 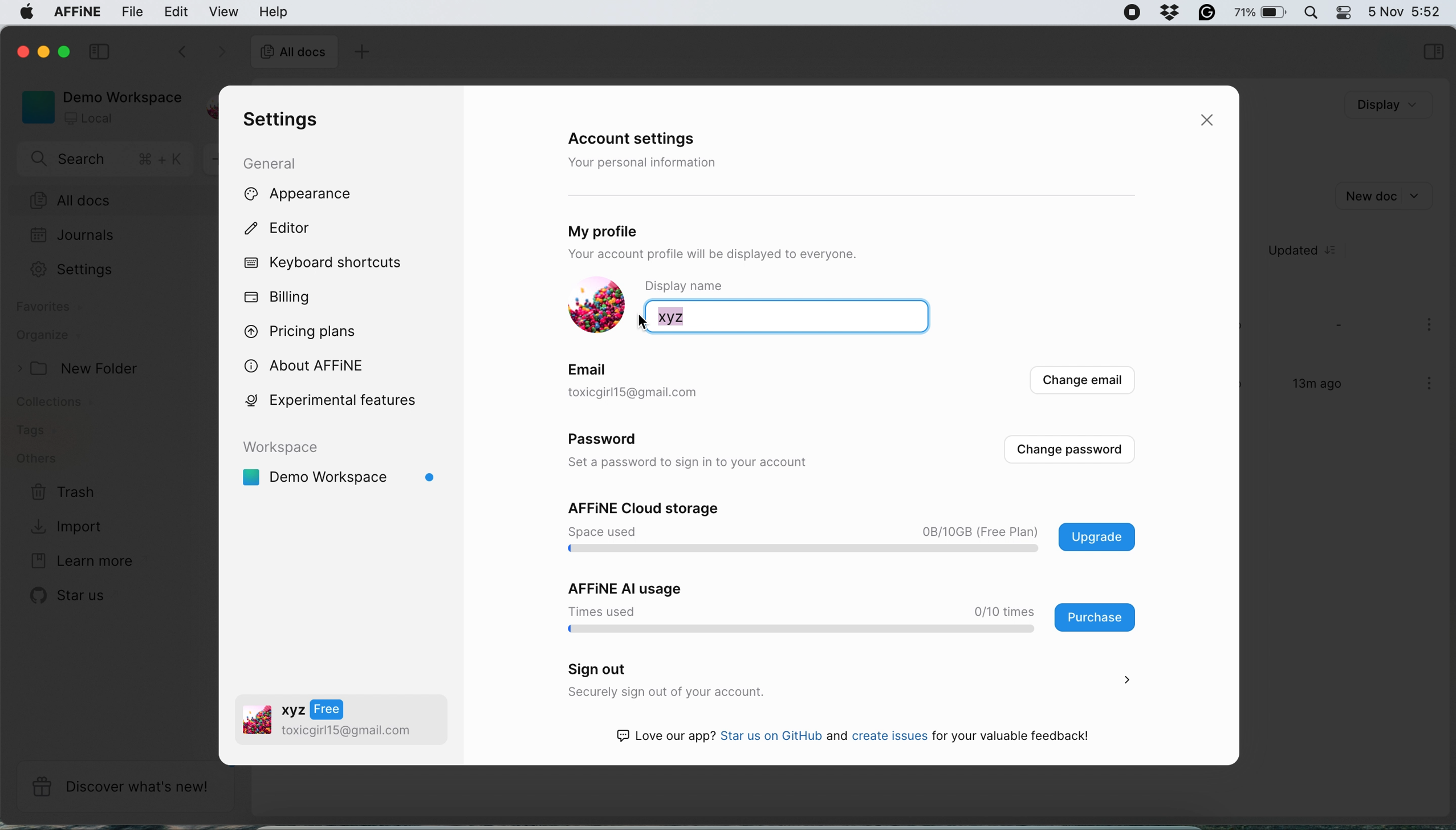 I want to click on close, so click(x=21, y=50).